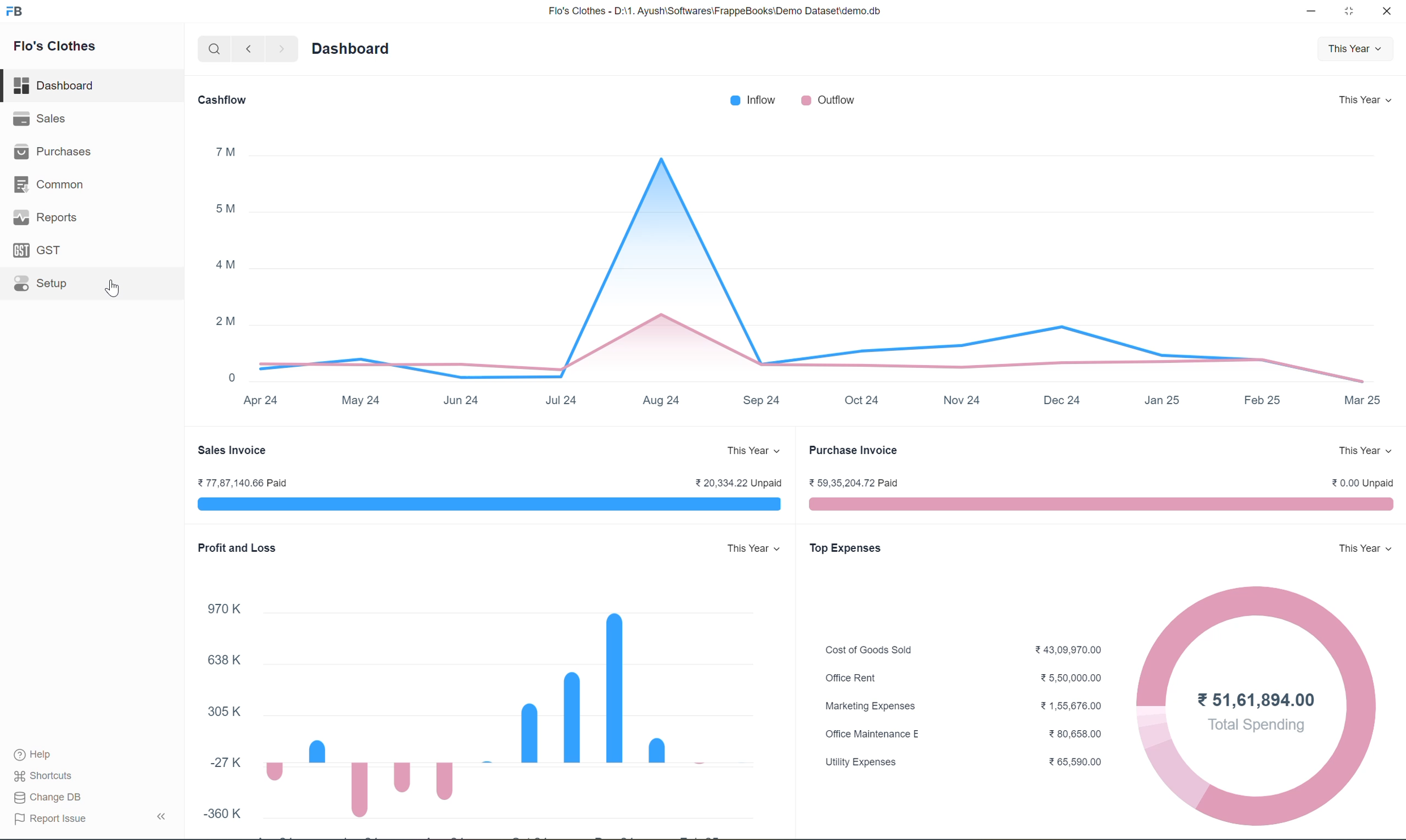  What do you see at coordinates (232, 450) in the screenshot?
I see `Sales Invoice` at bounding box center [232, 450].